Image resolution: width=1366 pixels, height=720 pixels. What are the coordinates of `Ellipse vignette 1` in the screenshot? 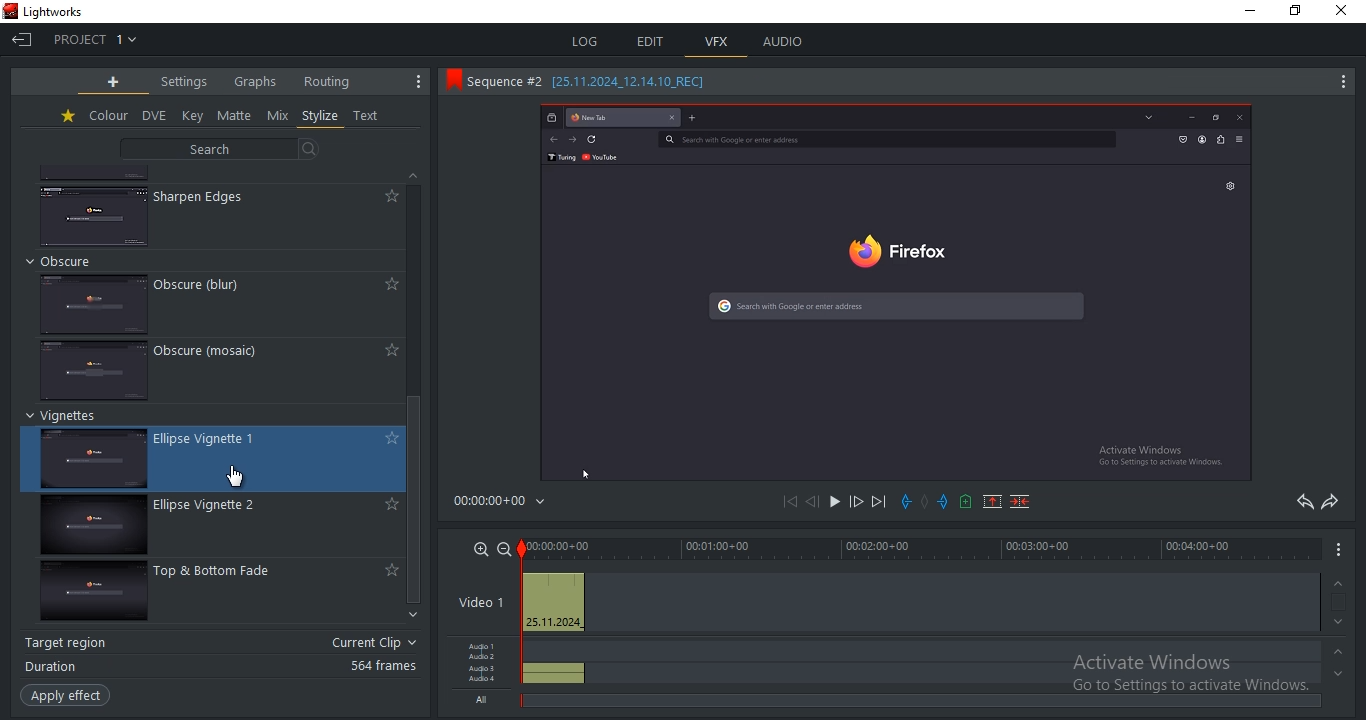 It's located at (222, 437).